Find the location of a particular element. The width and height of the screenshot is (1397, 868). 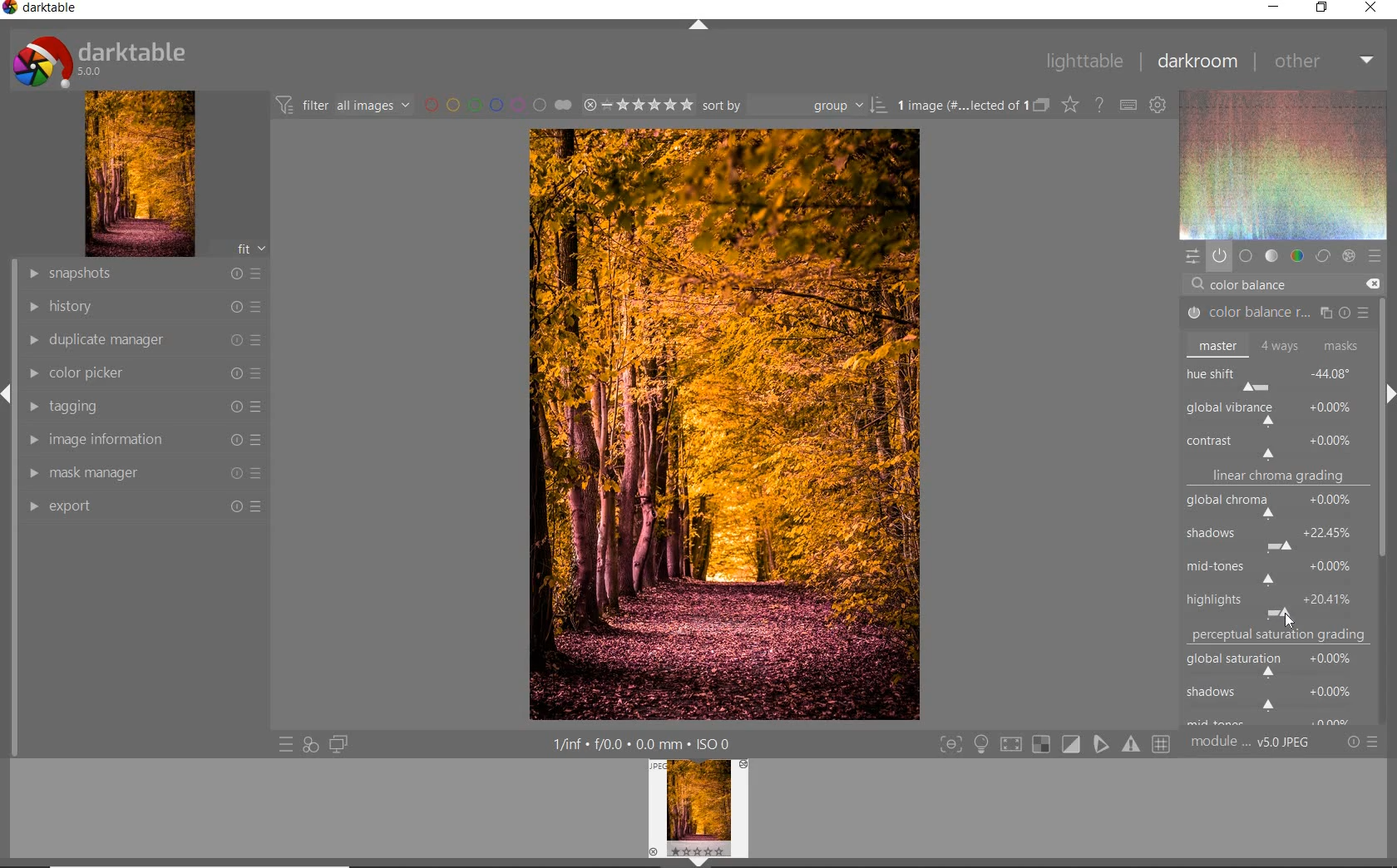

image information is located at coordinates (141, 439).